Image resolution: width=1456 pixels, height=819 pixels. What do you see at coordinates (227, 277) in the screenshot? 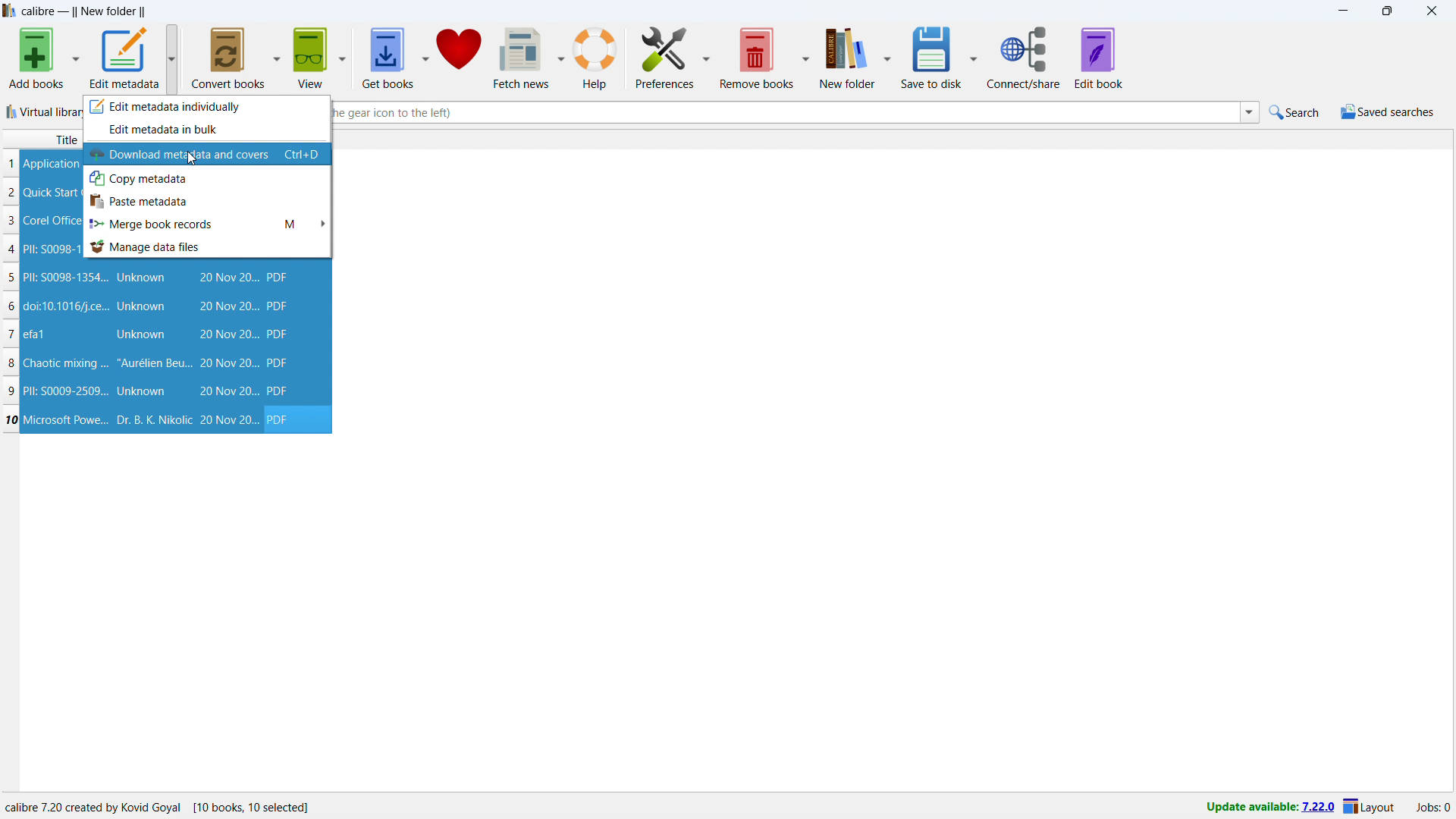
I see `20 Nov 20...` at bounding box center [227, 277].